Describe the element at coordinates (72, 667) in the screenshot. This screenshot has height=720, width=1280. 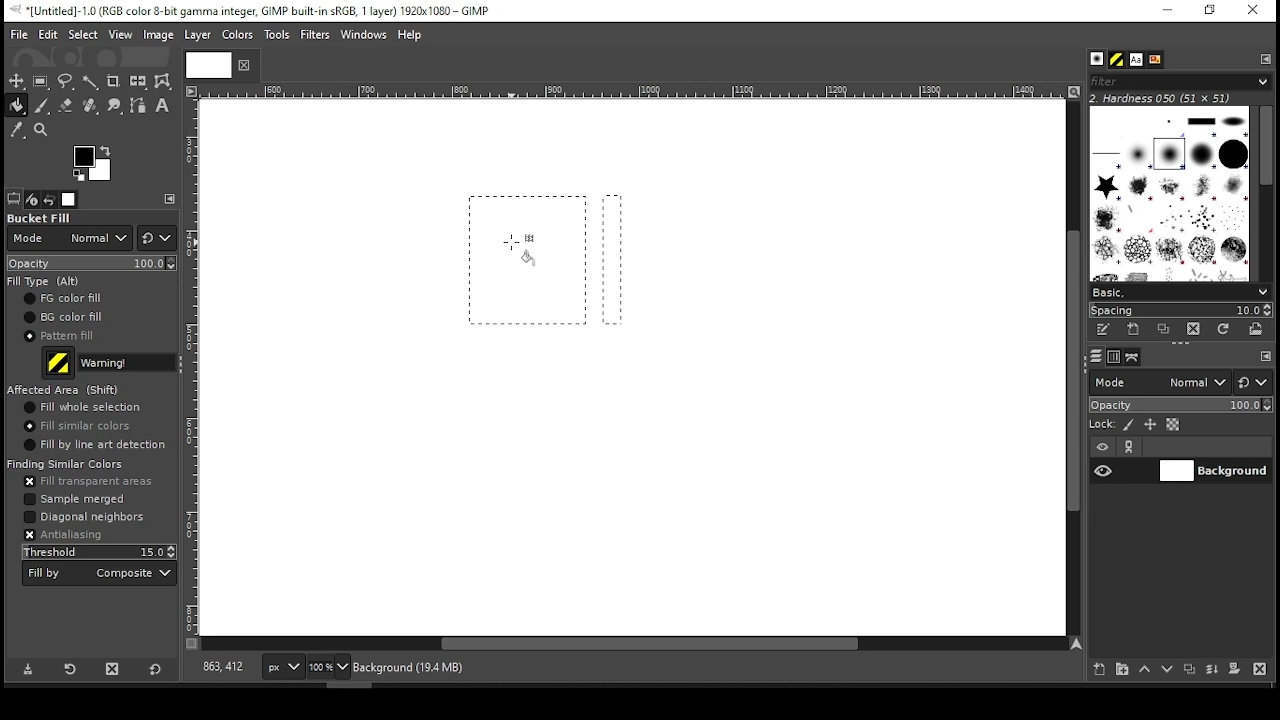
I see `restore tool preset` at that location.